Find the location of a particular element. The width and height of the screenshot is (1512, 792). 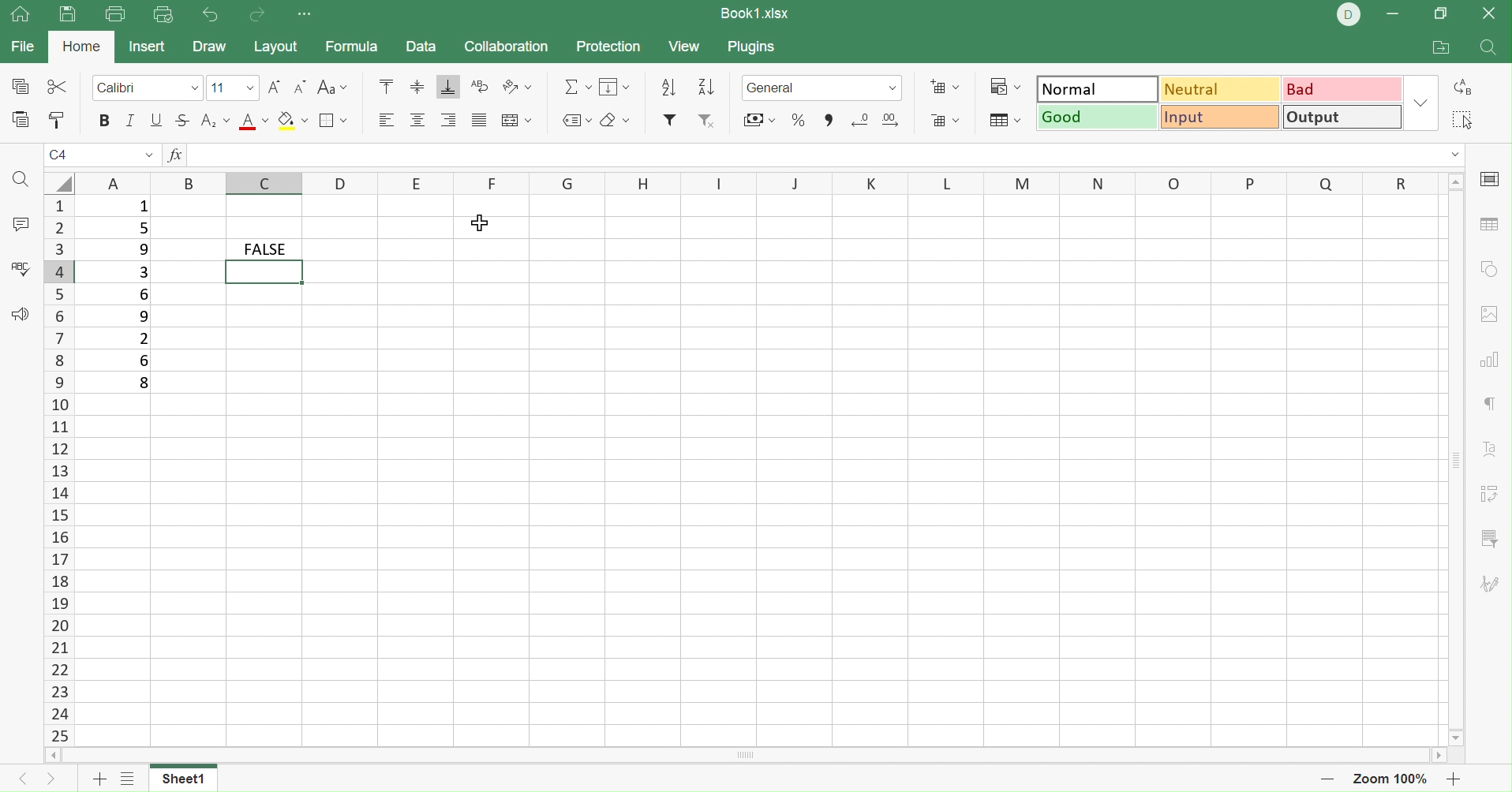

Formula is located at coordinates (352, 47).